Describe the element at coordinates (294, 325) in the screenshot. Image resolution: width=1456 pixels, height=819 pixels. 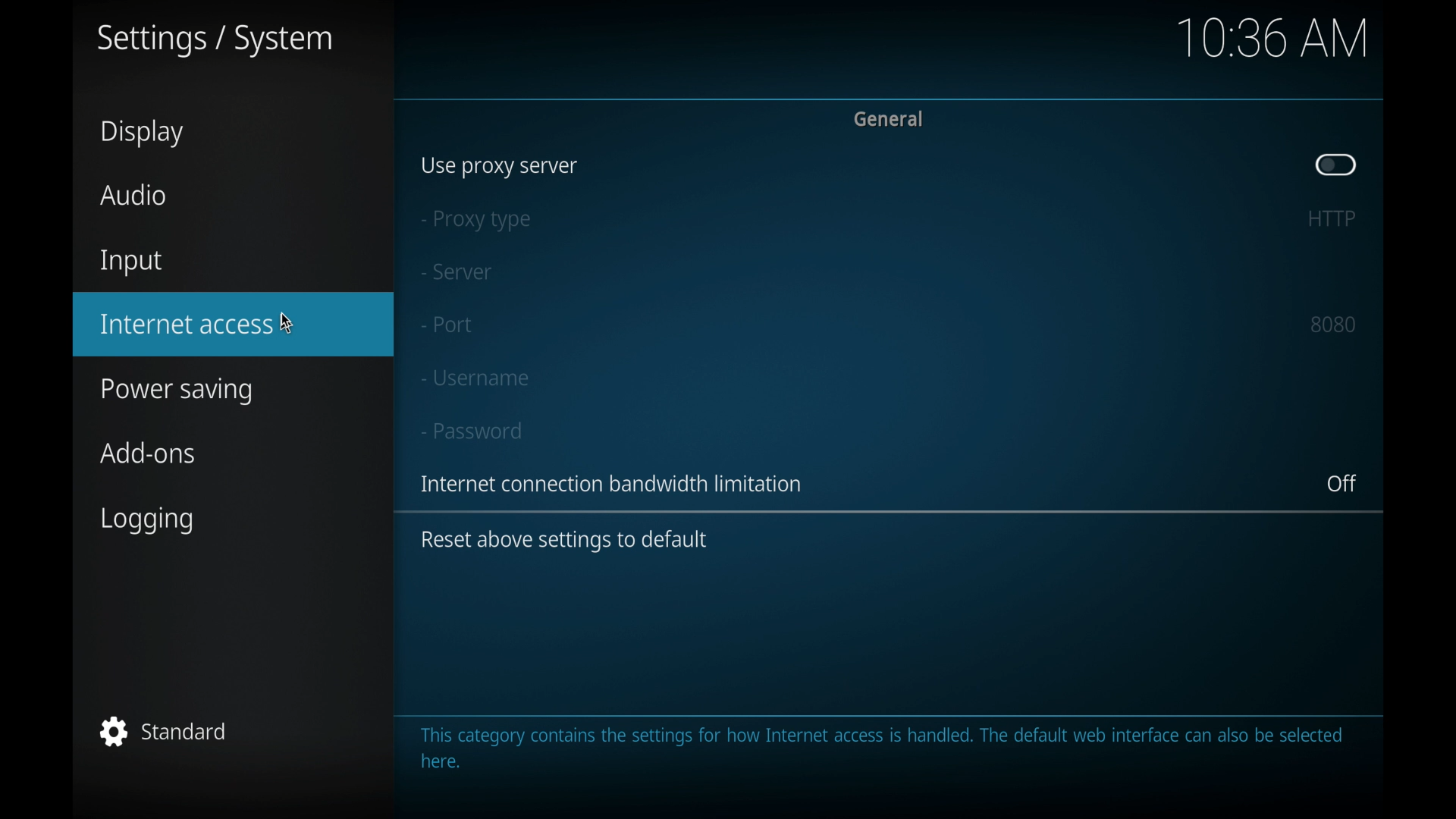
I see `cursor` at that location.